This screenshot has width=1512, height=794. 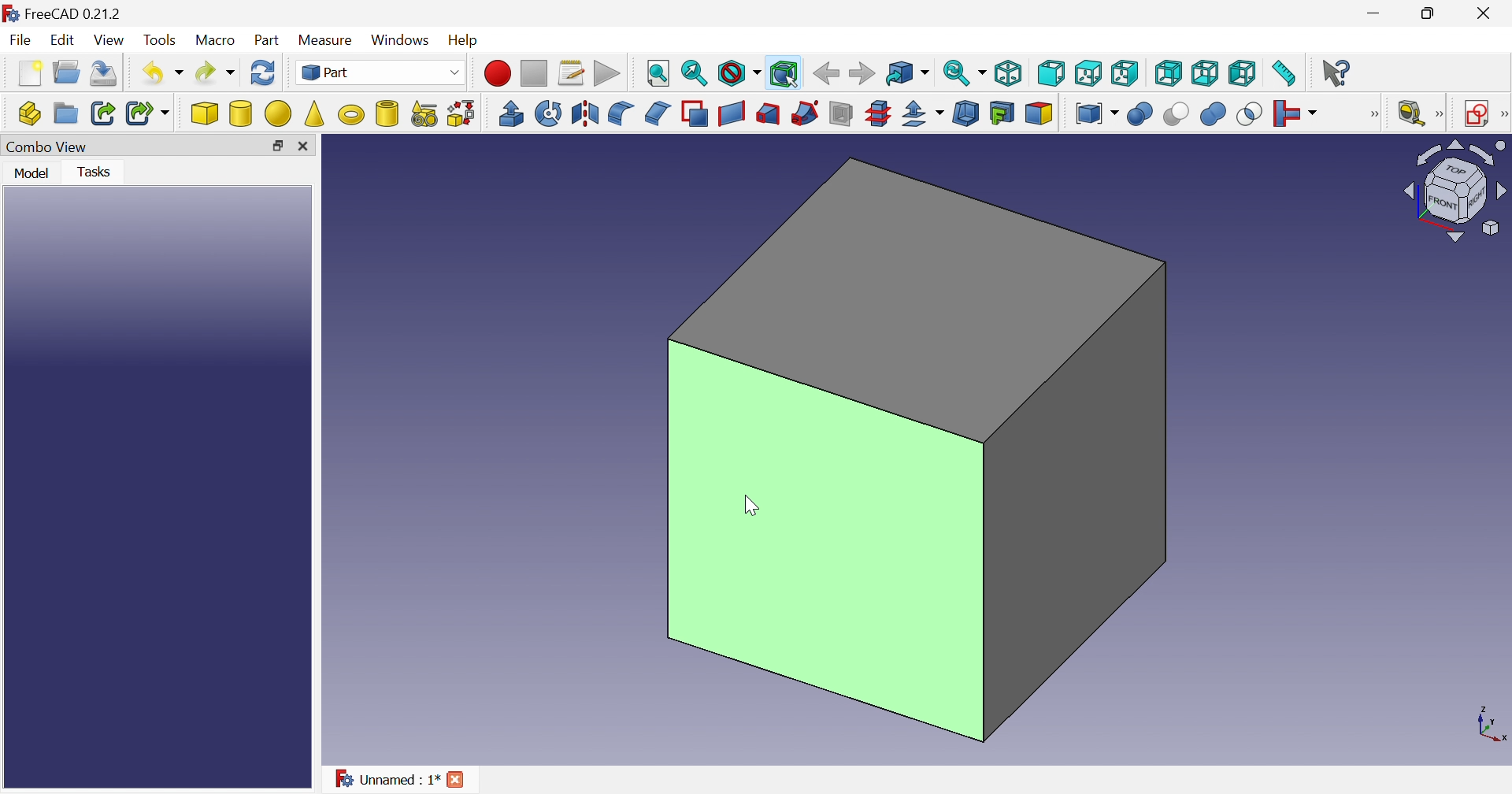 What do you see at coordinates (1477, 114) in the screenshot?
I see `Create sketch` at bounding box center [1477, 114].